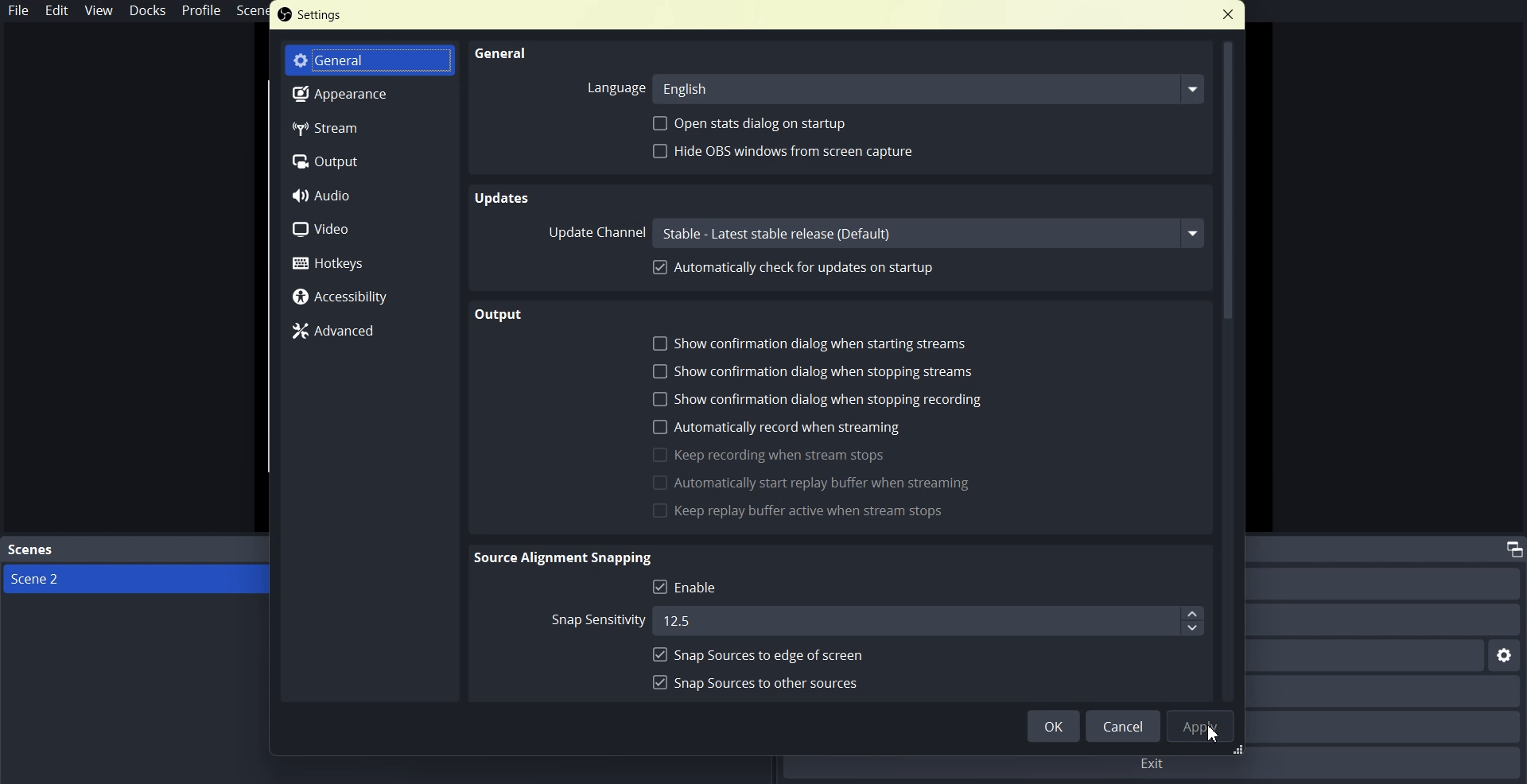  I want to click on Apply, so click(1200, 724).